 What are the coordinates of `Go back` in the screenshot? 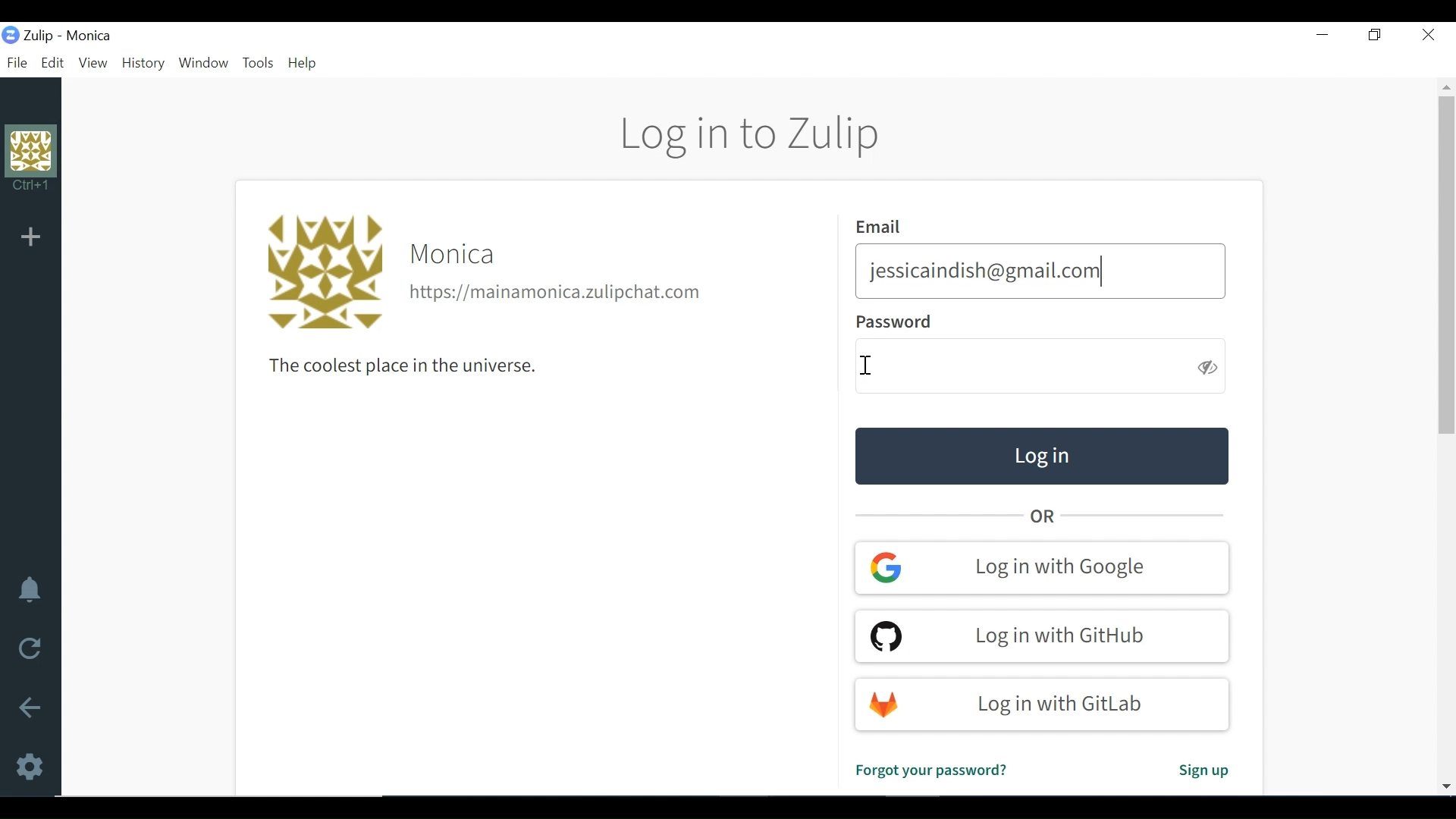 It's located at (30, 708).